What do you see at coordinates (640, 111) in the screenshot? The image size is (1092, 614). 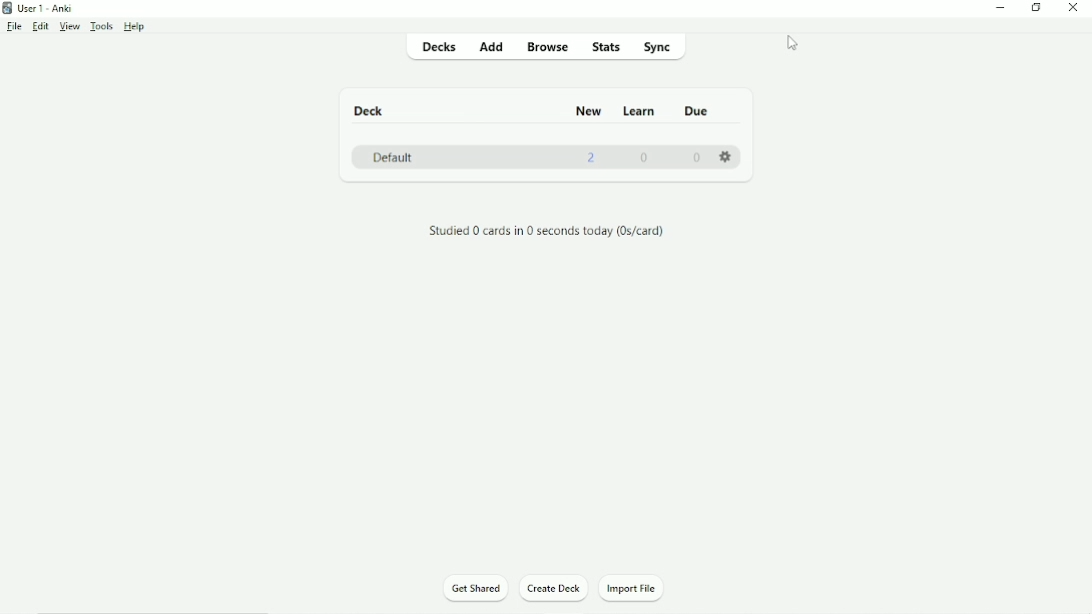 I see `Learn` at bounding box center [640, 111].